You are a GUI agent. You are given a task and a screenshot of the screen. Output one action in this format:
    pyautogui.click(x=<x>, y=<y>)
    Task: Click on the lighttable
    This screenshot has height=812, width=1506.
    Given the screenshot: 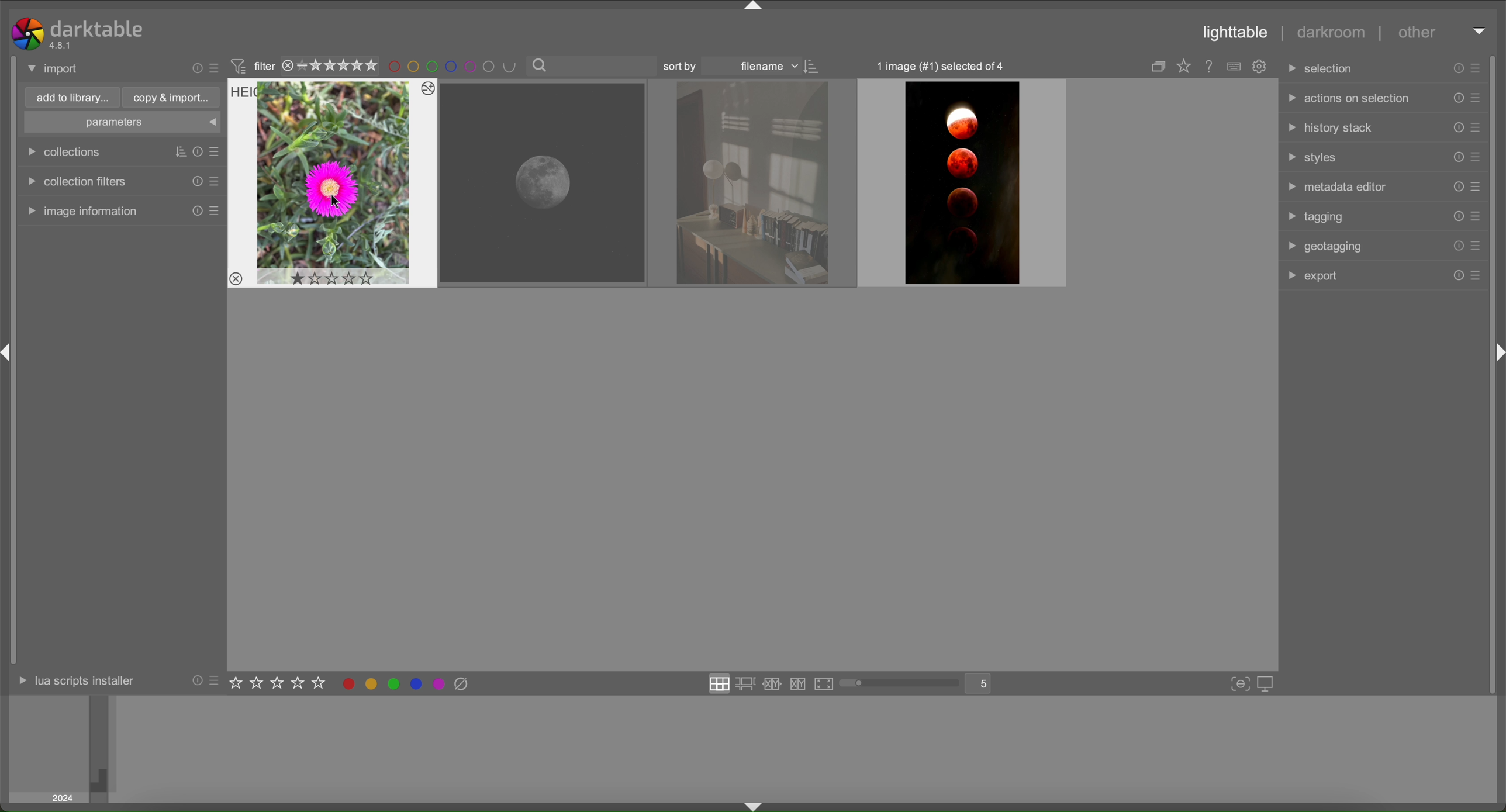 What is the action you would take?
    pyautogui.click(x=1236, y=32)
    